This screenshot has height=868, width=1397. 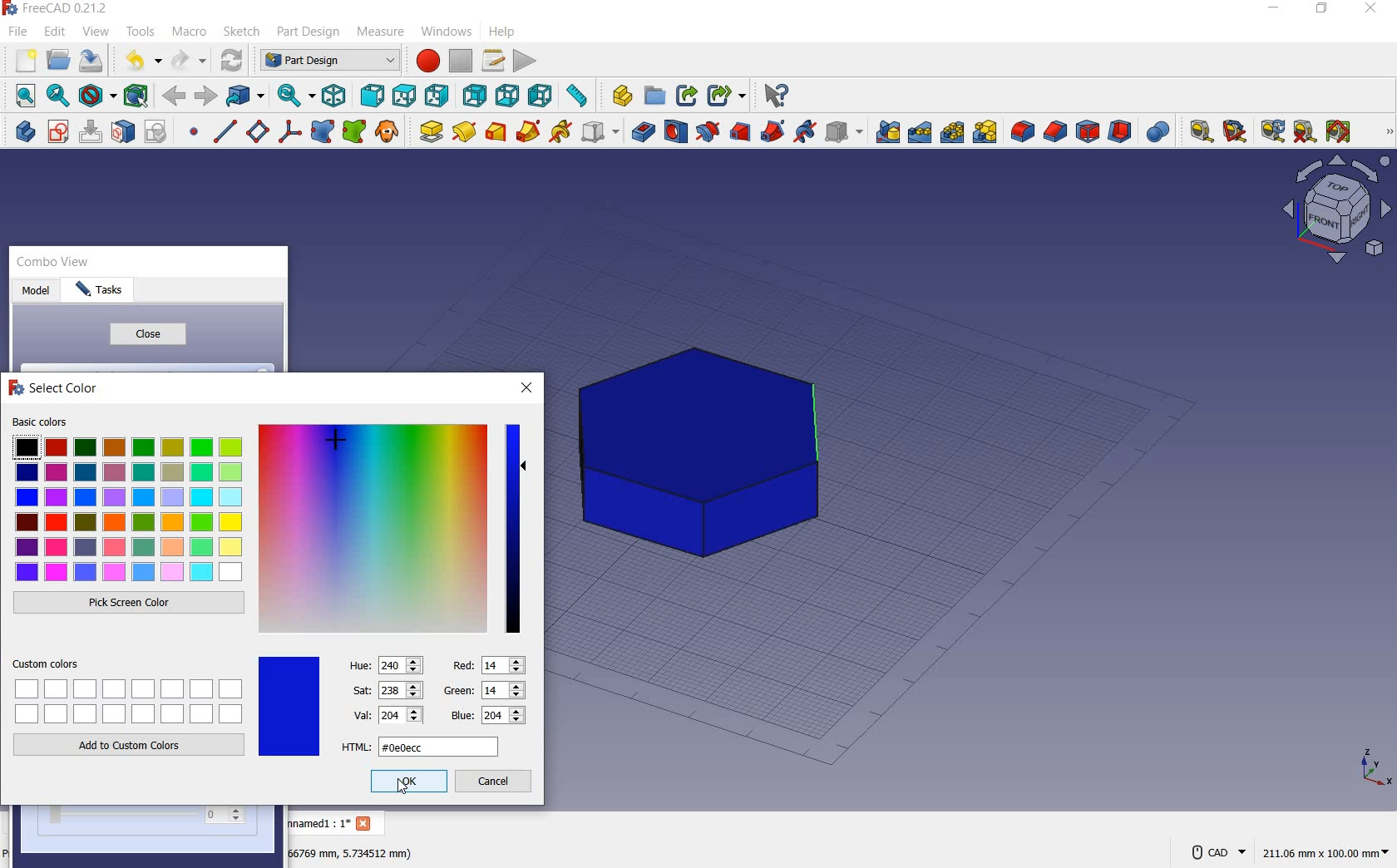 I want to click on stop macro recording, so click(x=461, y=61).